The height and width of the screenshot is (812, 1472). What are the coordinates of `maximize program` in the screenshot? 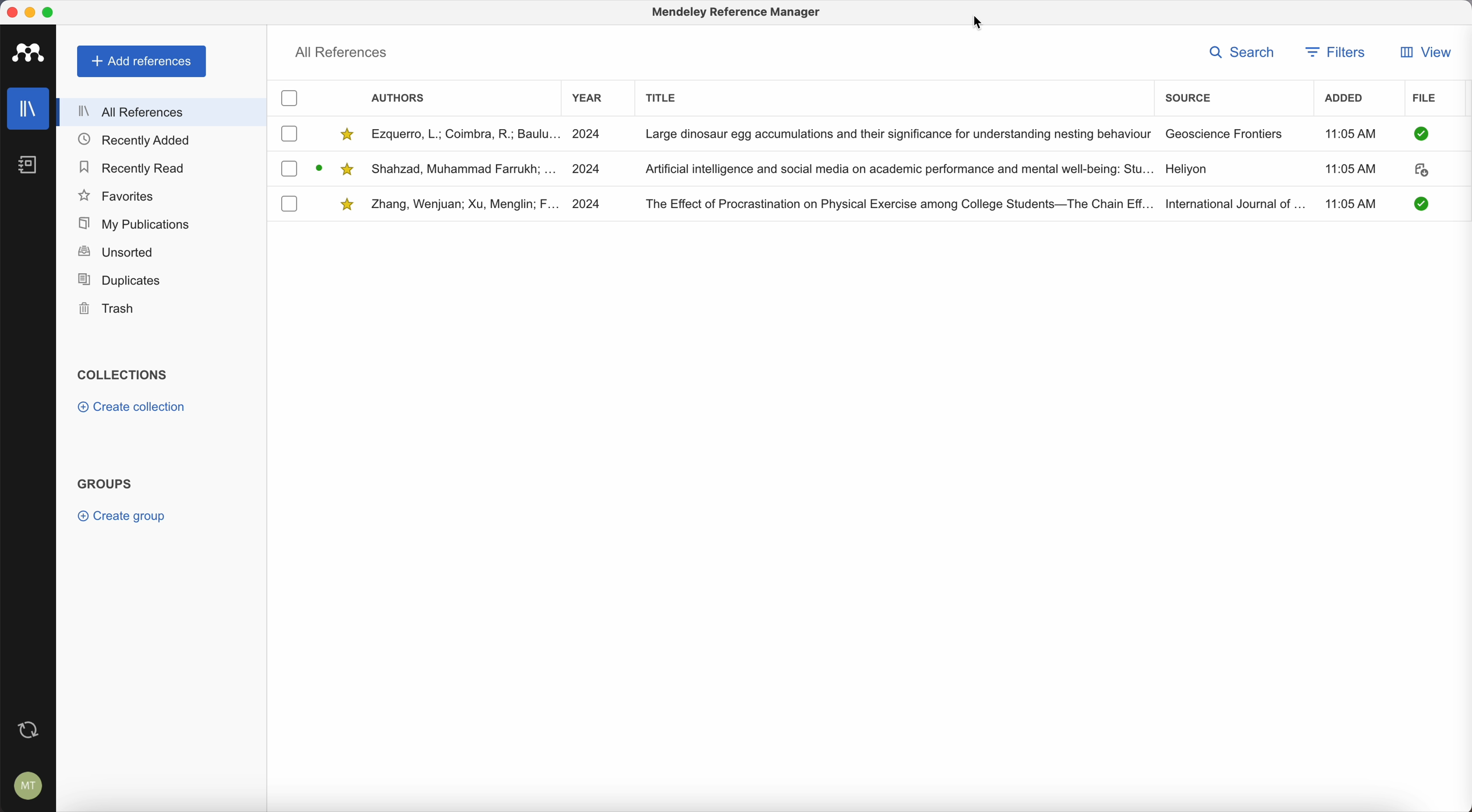 It's located at (51, 11).